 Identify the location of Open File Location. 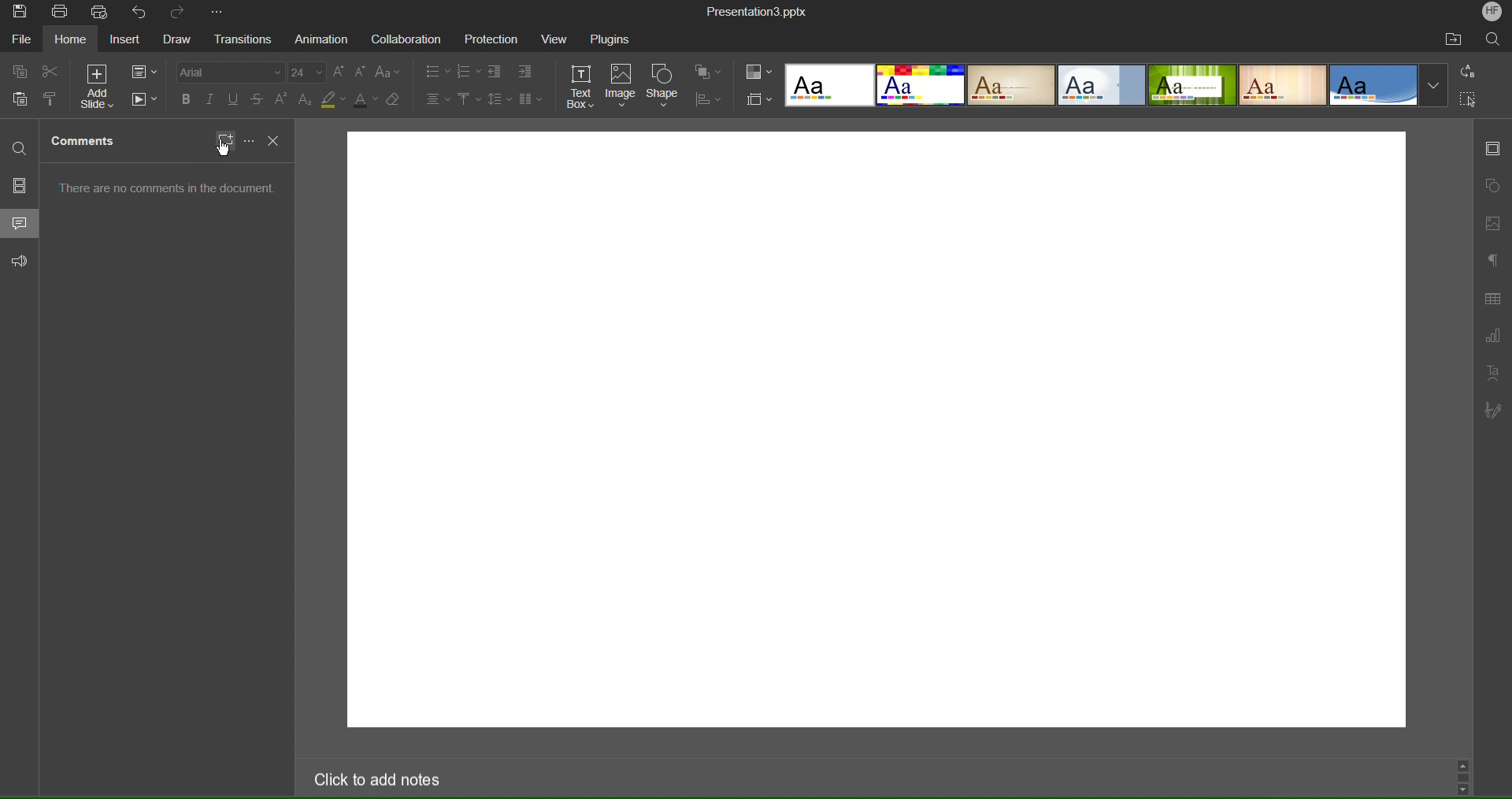
(1453, 40).